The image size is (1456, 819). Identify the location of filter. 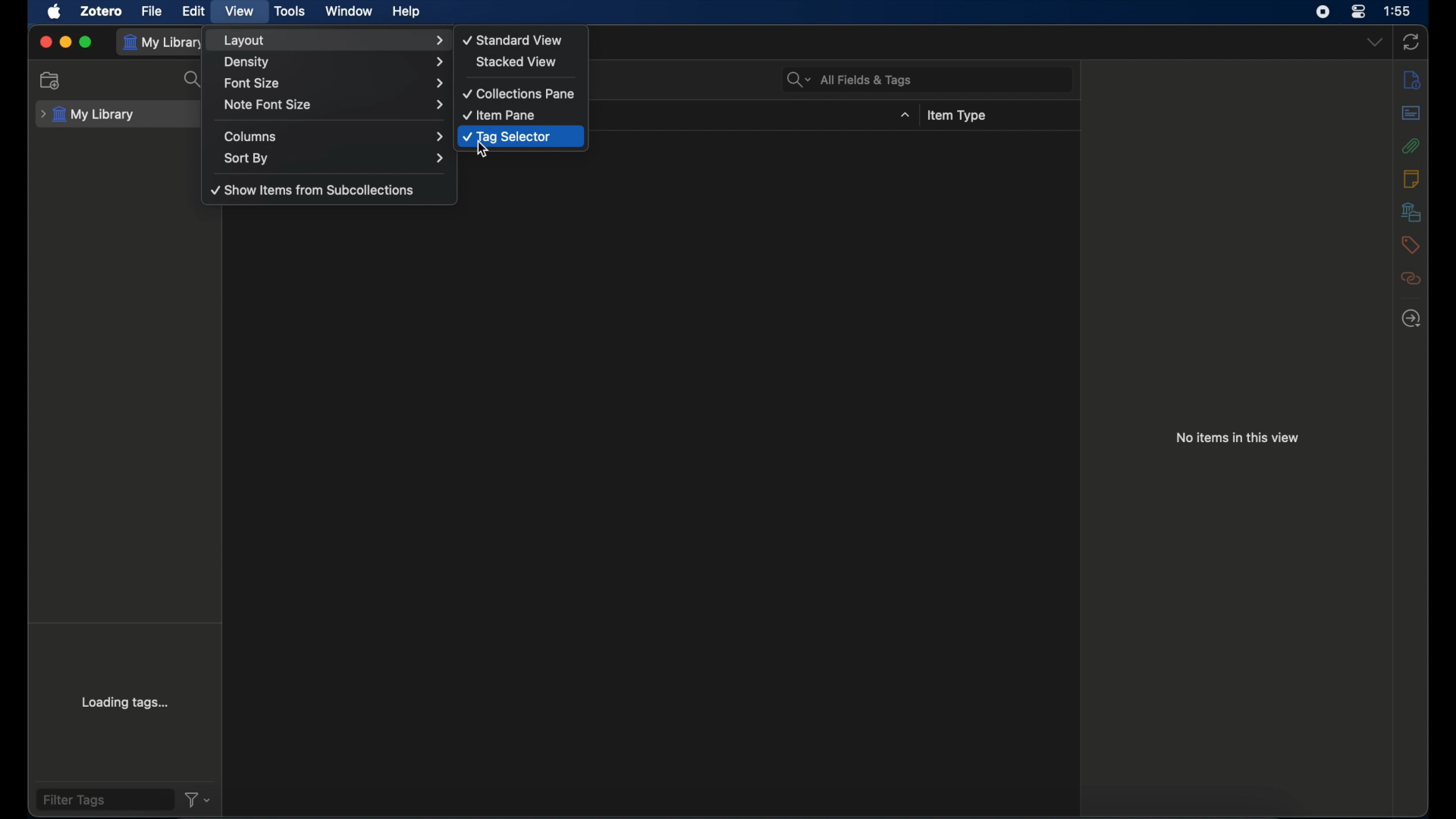
(199, 799).